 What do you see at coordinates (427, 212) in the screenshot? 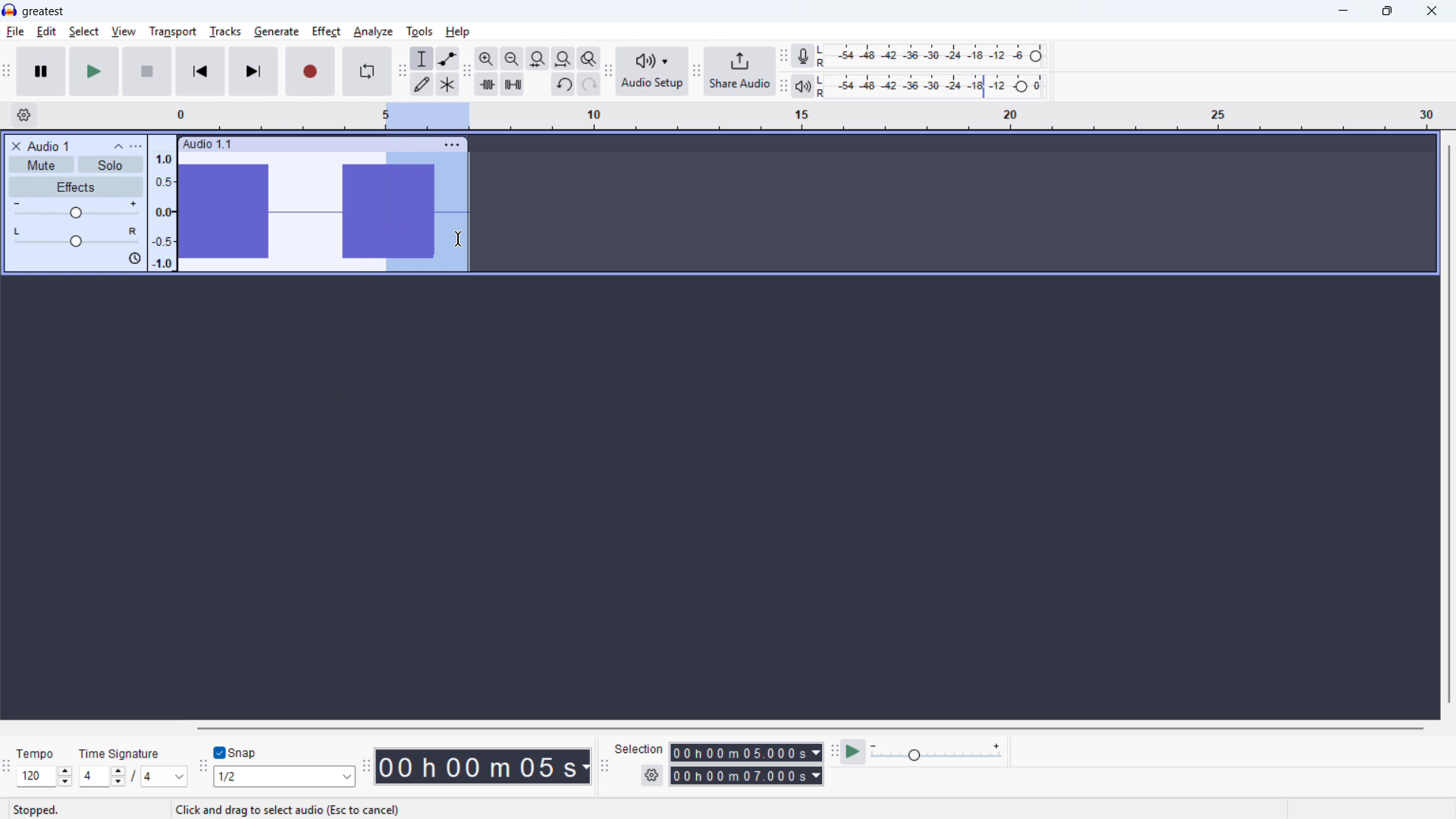
I see `Part of the audio being selected` at bounding box center [427, 212].